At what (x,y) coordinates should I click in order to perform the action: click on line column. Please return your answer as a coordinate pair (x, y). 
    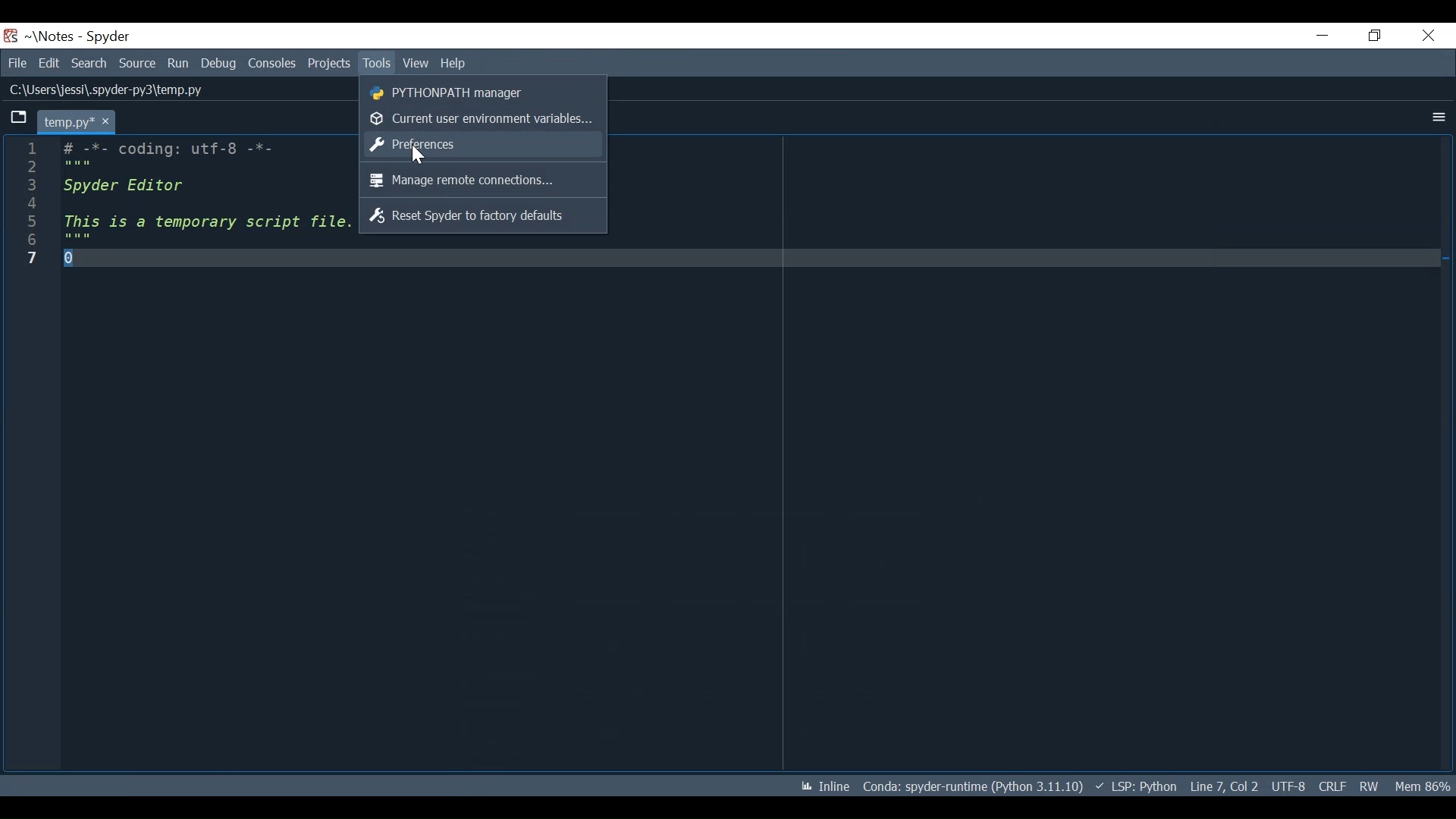
    Looking at the image, I should click on (34, 455).